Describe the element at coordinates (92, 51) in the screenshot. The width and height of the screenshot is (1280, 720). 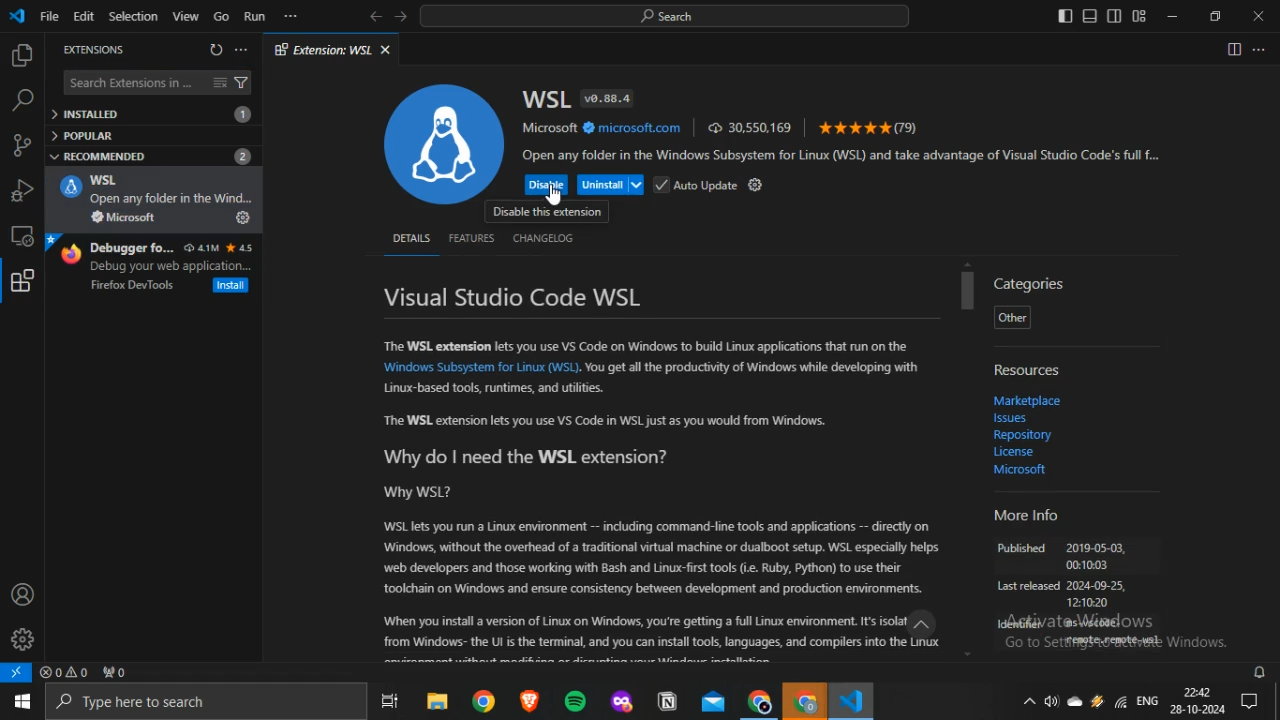
I see `EXTENSIONS` at that location.